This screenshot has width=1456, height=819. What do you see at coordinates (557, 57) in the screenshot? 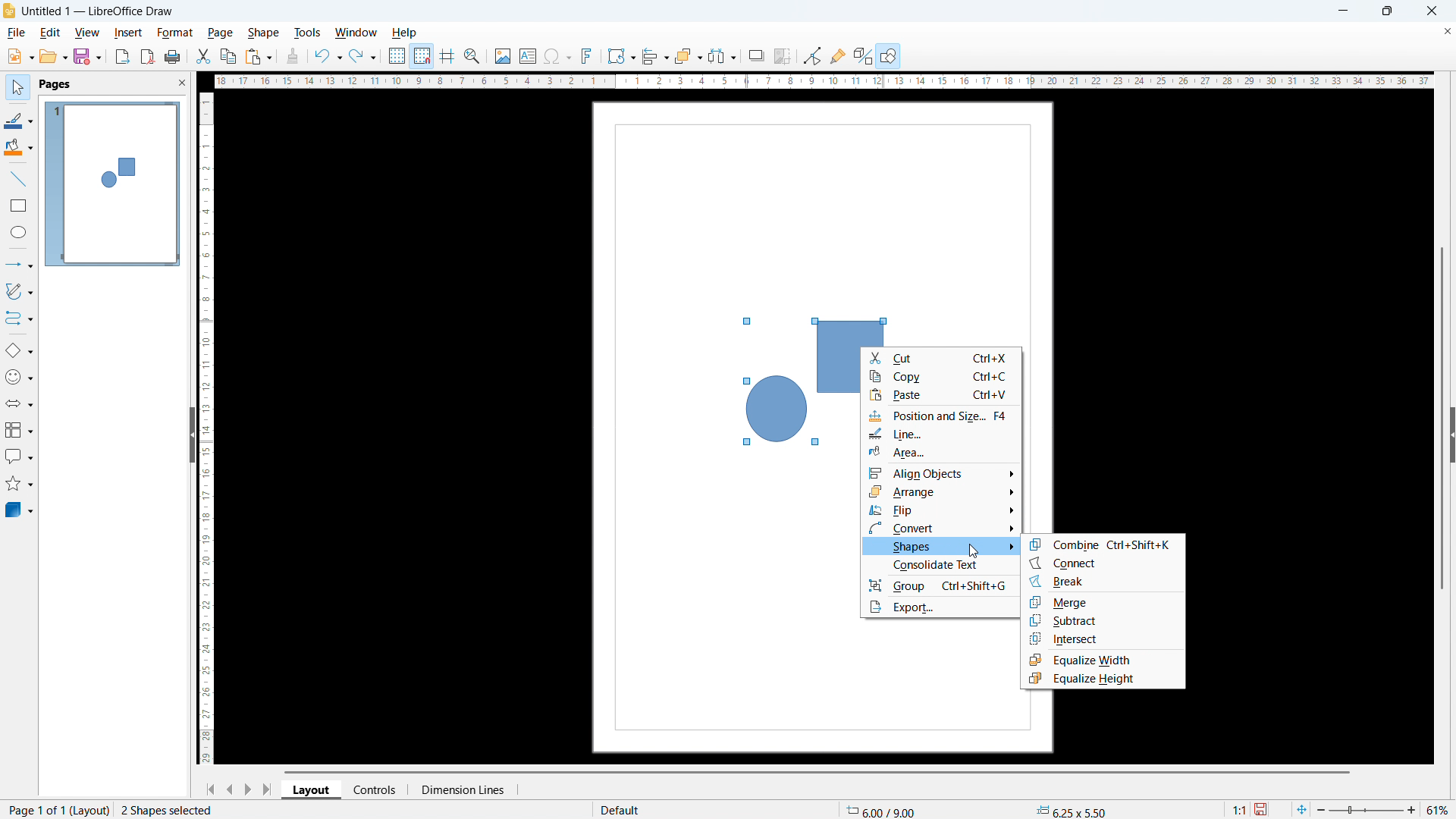
I see `insert symbols` at bounding box center [557, 57].